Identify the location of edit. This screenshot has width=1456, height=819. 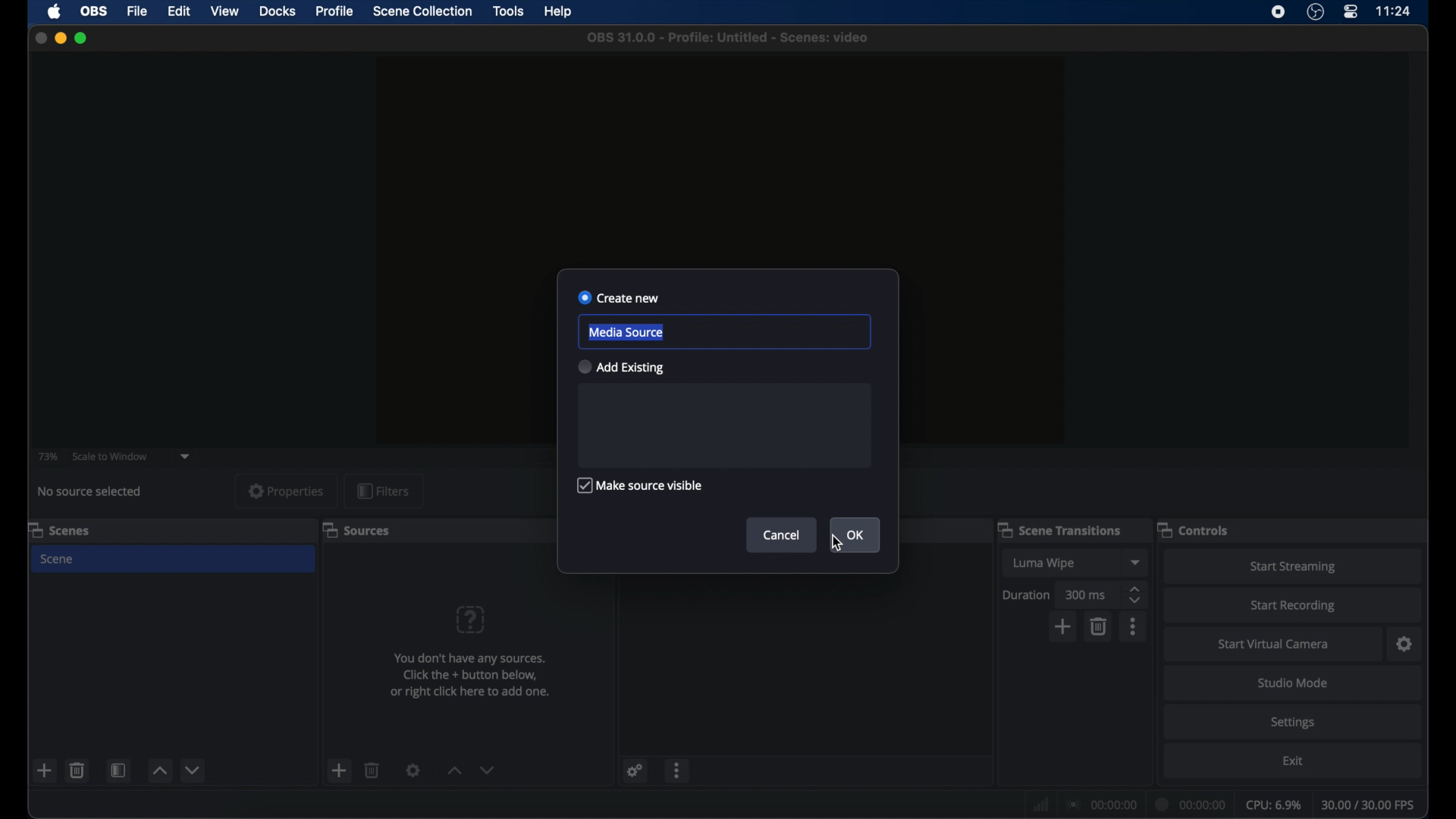
(178, 11).